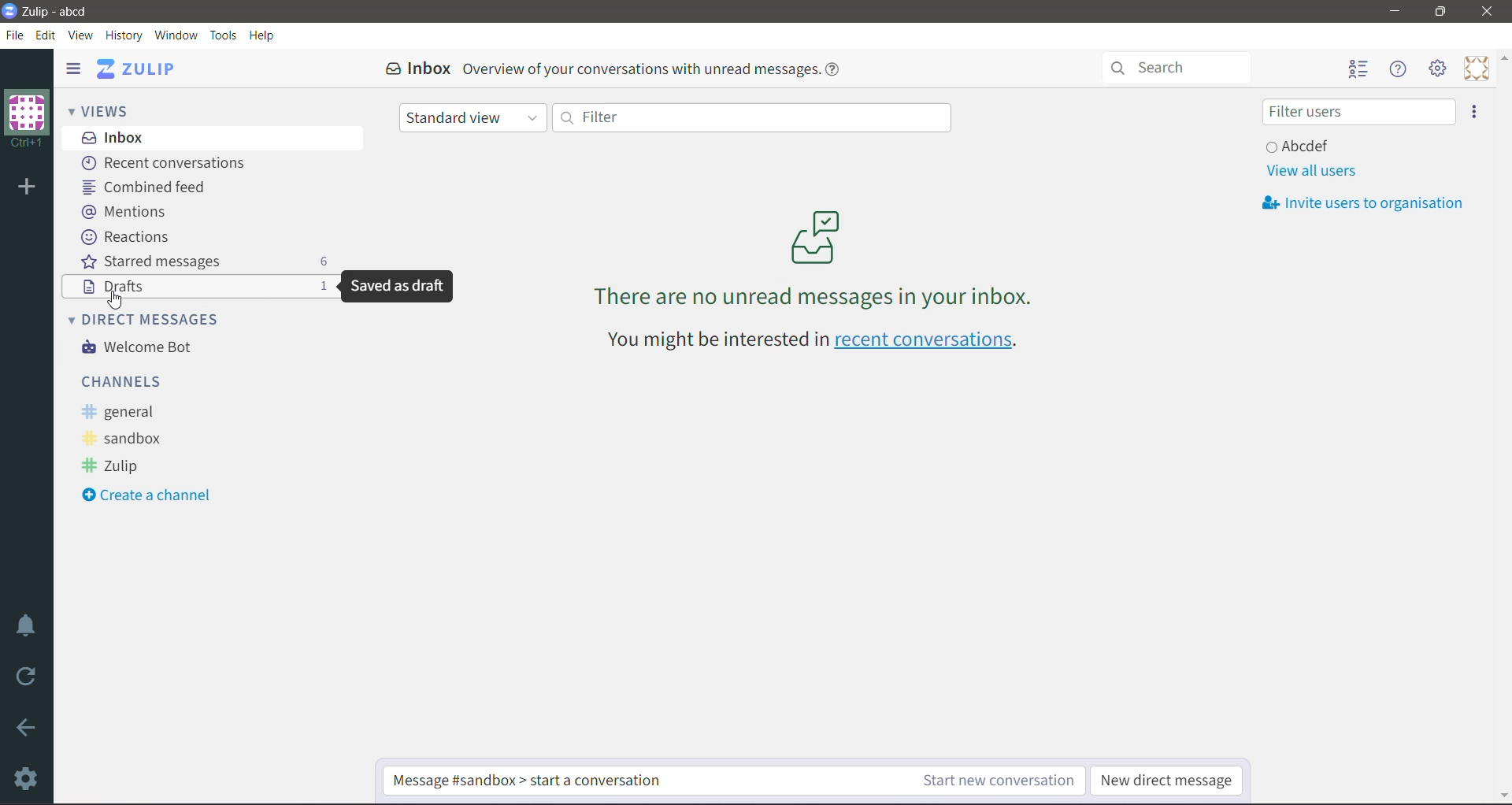 This screenshot has height=805, width=1512. Describe the element at coordinates (141, 69) in the screenshot. I see `Application` at that location.